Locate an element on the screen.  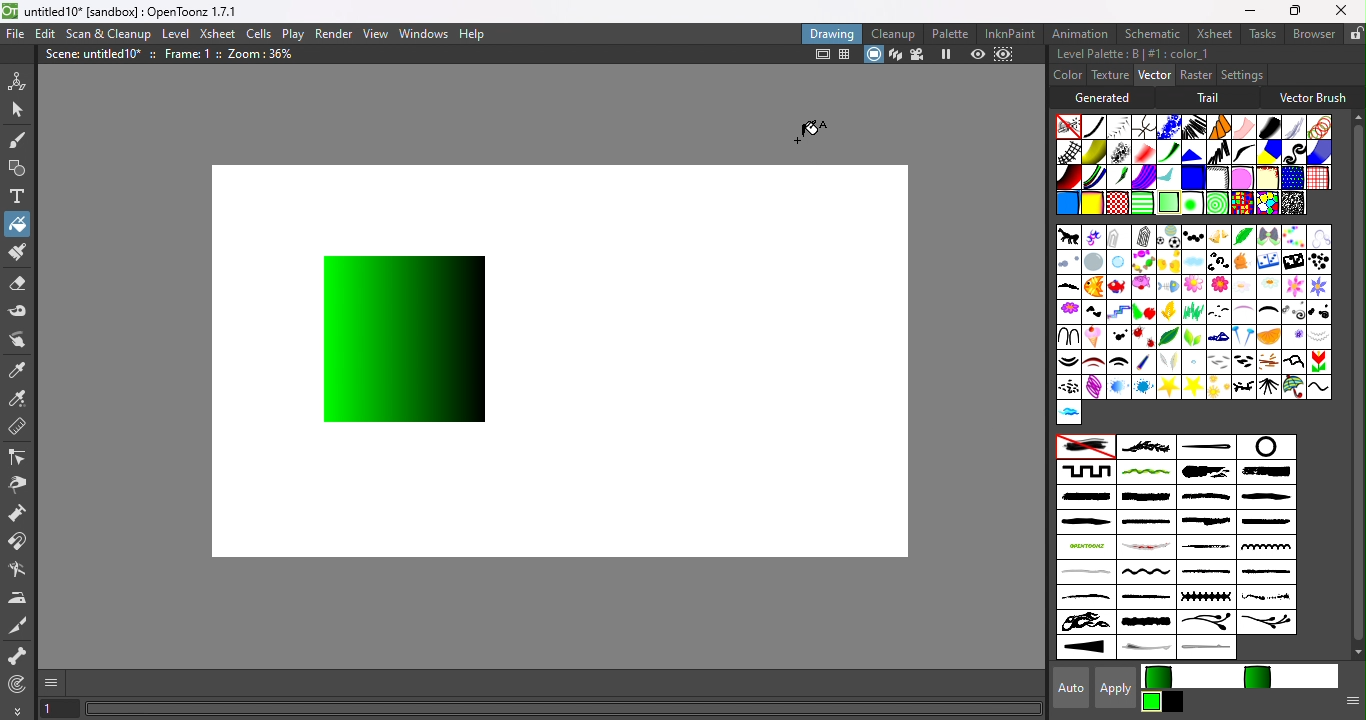
Freeze is located at coordinates (947, 56).